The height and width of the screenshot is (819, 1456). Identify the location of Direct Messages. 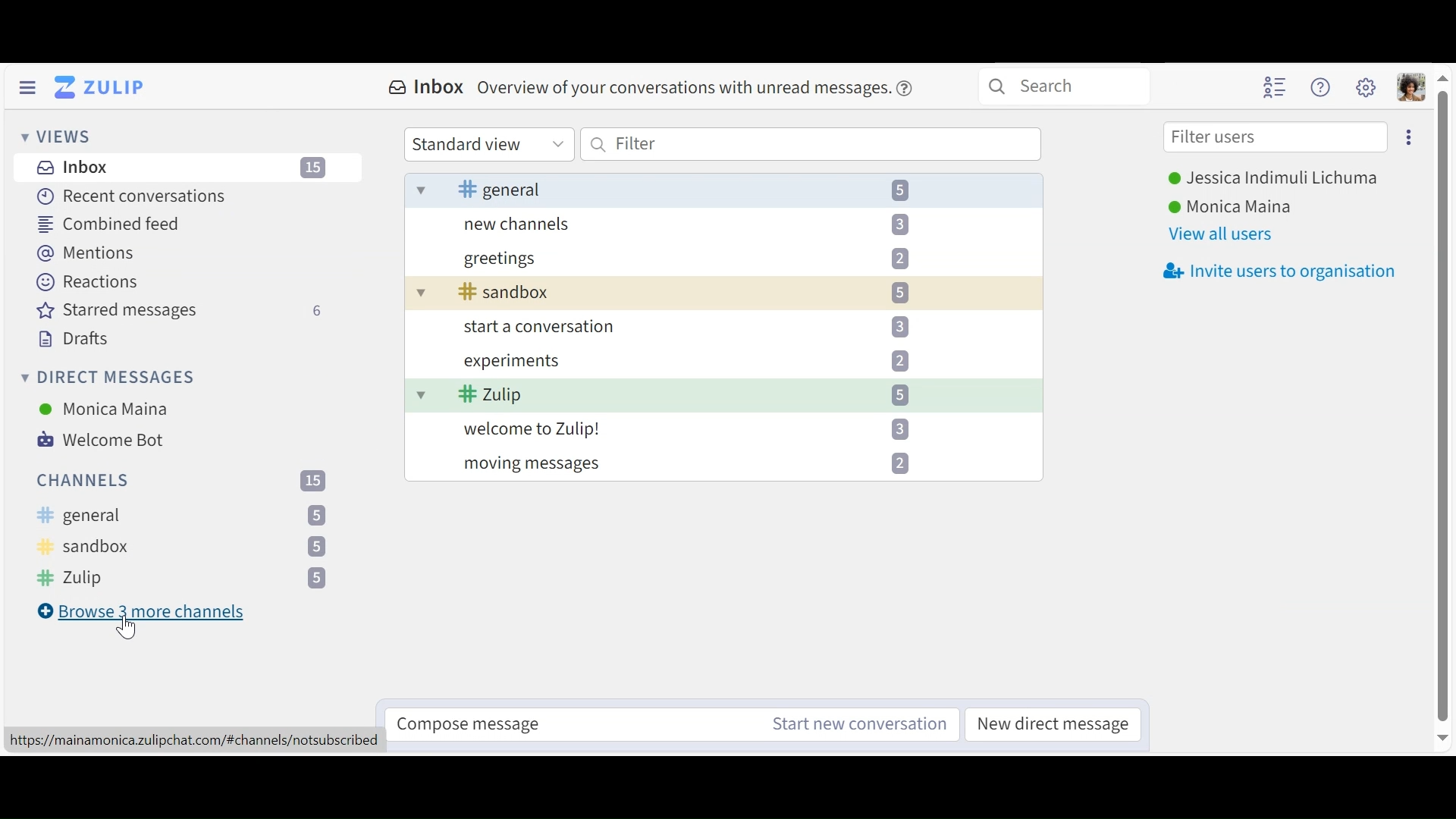
(117, 378).